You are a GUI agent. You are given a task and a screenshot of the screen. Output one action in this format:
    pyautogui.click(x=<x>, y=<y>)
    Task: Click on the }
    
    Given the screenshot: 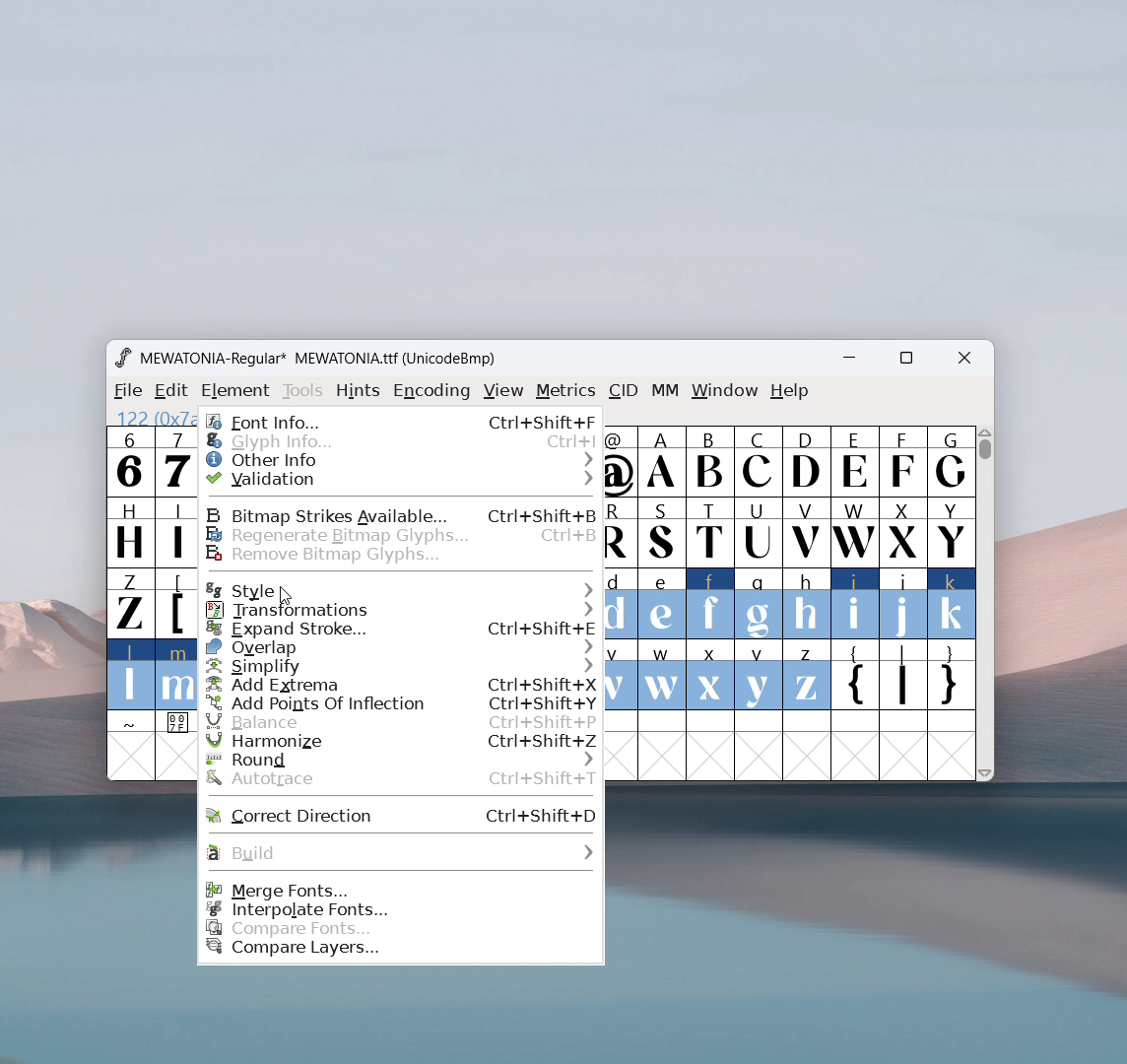 What is the action you would take?
    pyautogui.click(x=953, y=677)
    